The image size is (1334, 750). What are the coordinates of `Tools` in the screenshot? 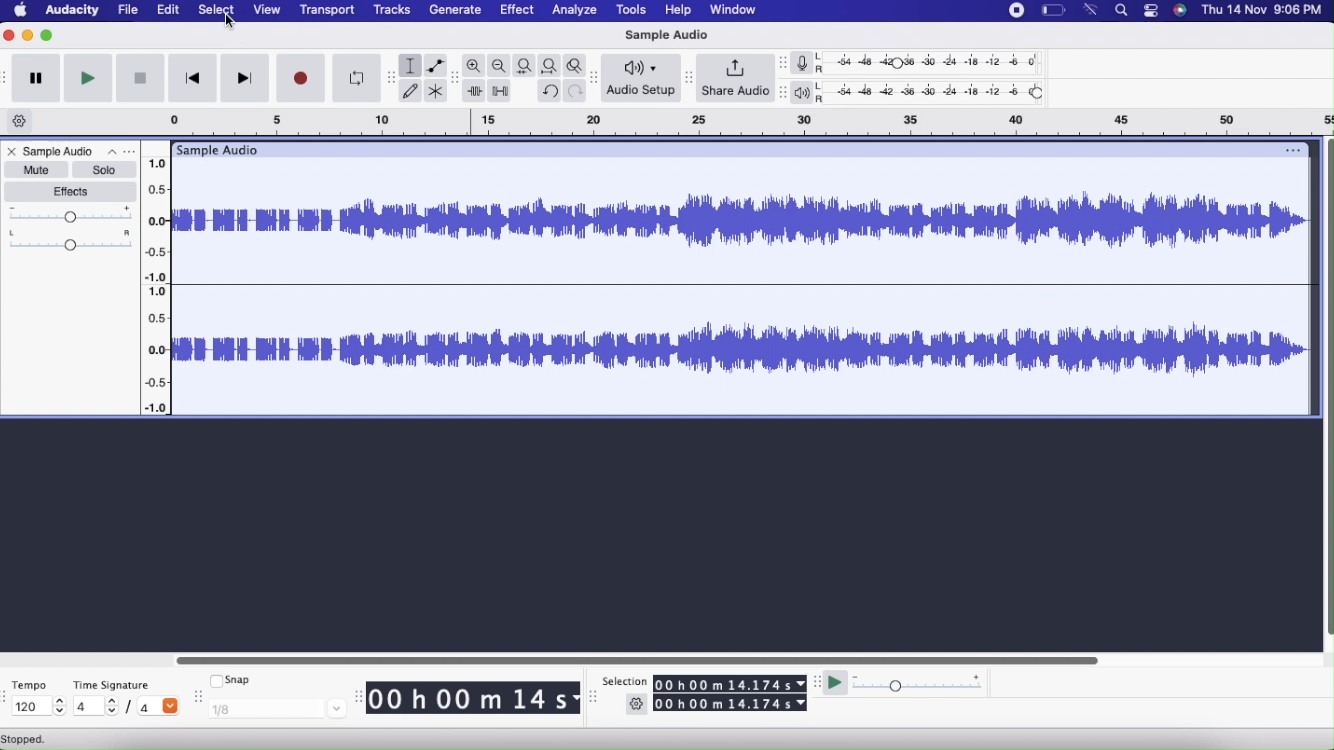 It's located at (632, 11).